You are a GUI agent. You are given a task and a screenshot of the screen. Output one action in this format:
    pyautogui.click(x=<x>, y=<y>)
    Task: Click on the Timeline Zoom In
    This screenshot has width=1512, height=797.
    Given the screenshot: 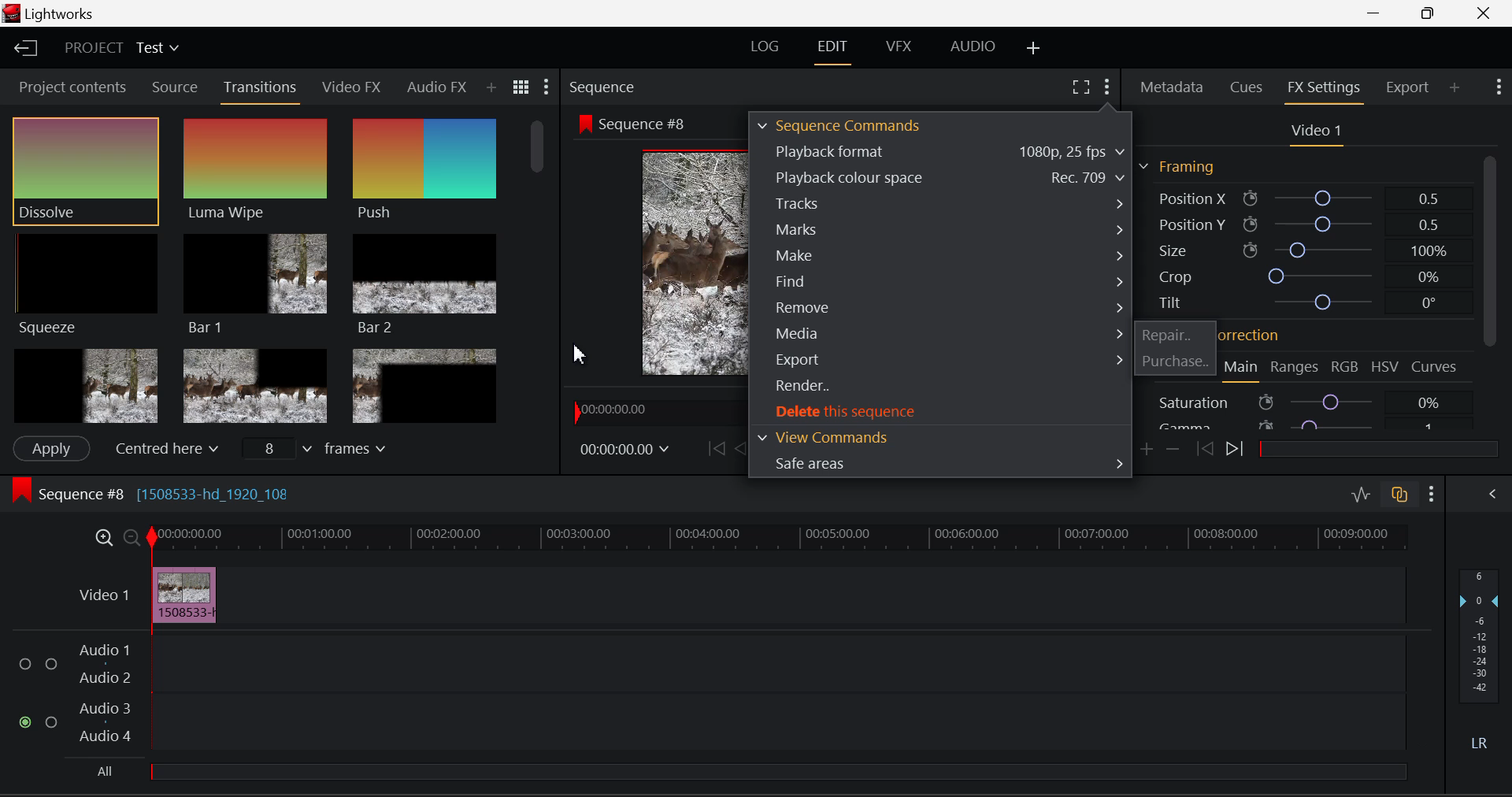 What is the action you would take?
    pyautogui.click(x=101, y=537)
    